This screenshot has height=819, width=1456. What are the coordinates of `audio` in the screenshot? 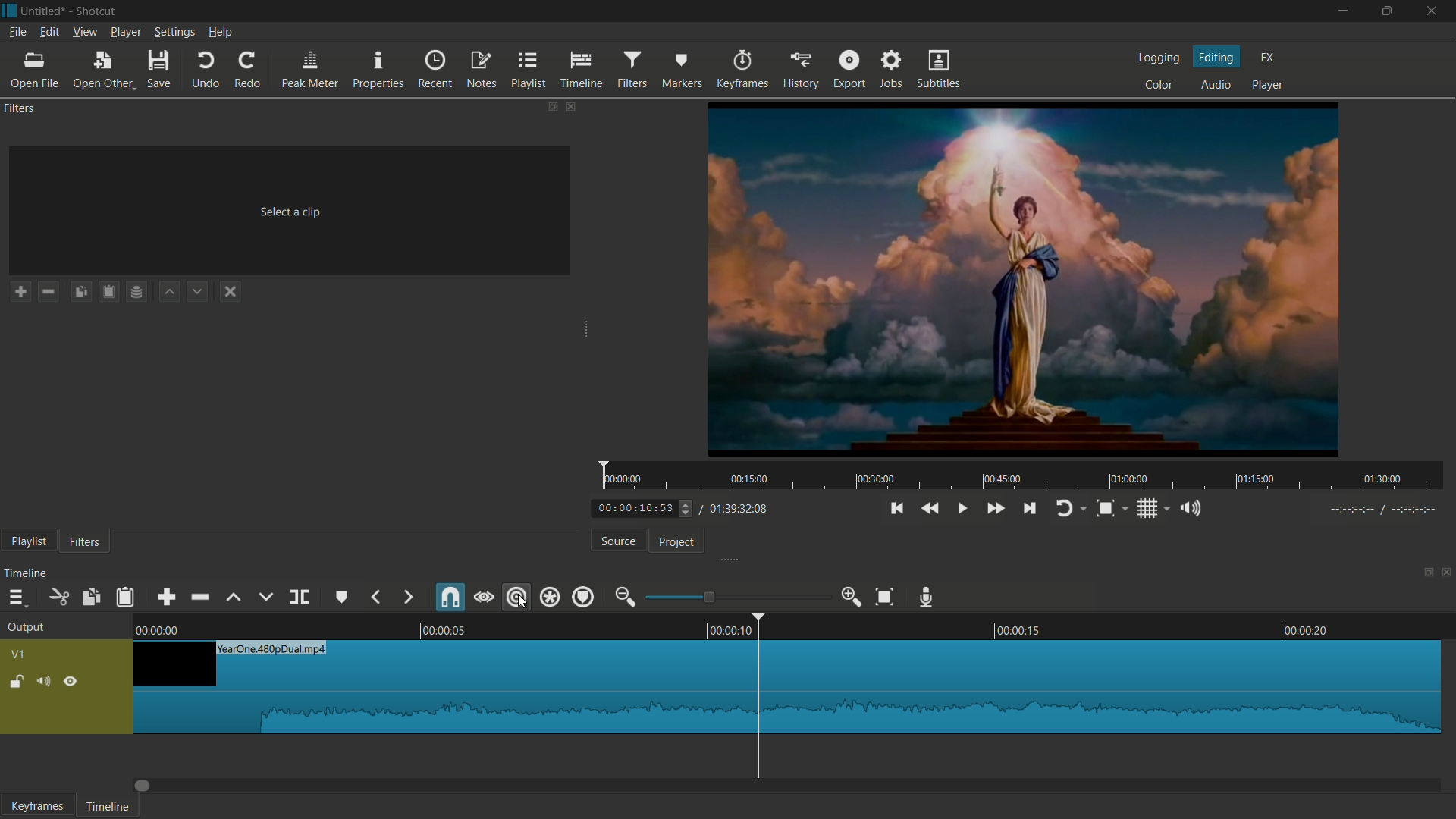 It's located at (1214, 83).